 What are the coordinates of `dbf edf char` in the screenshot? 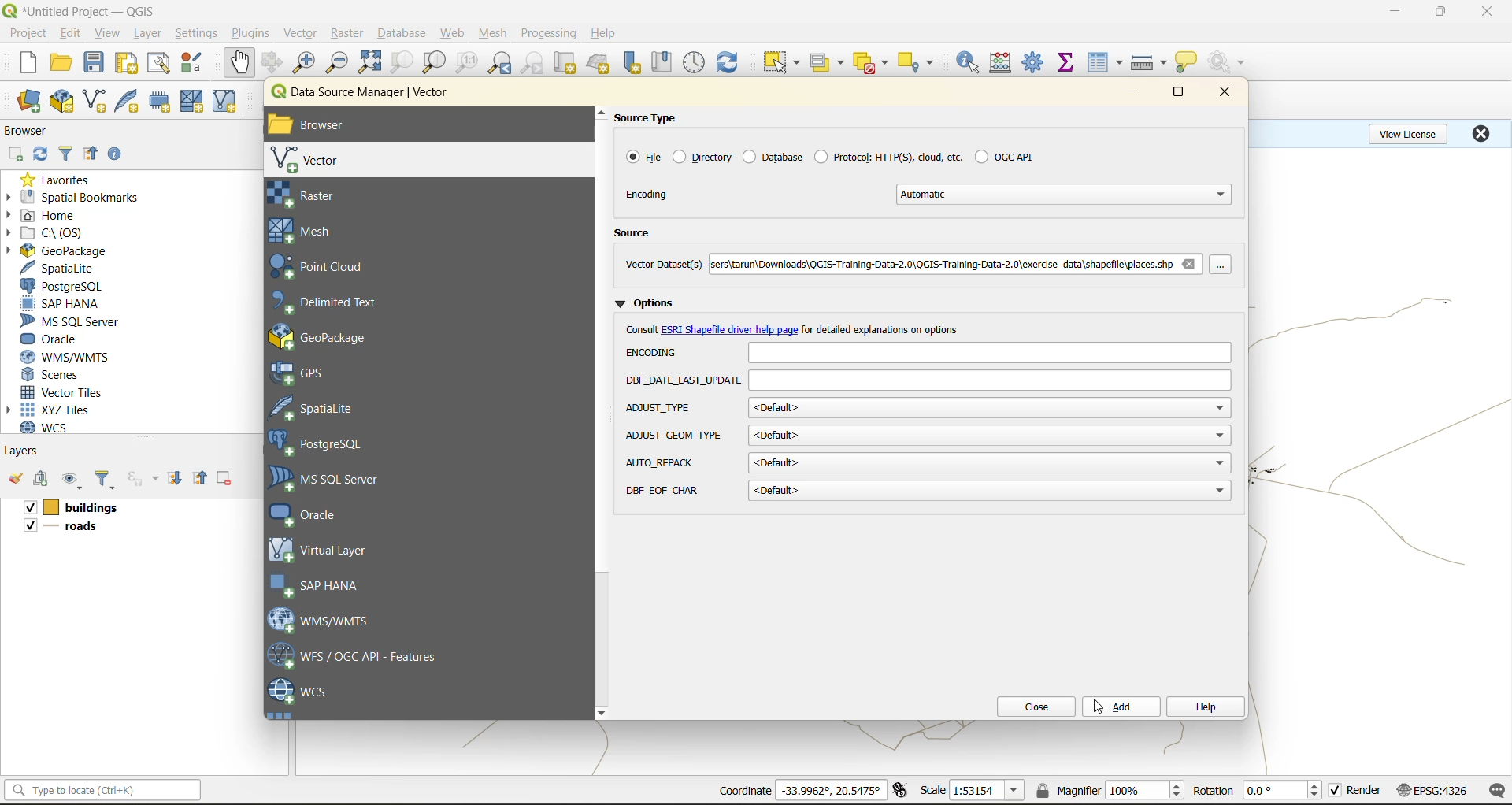 It's located at (990, 492).